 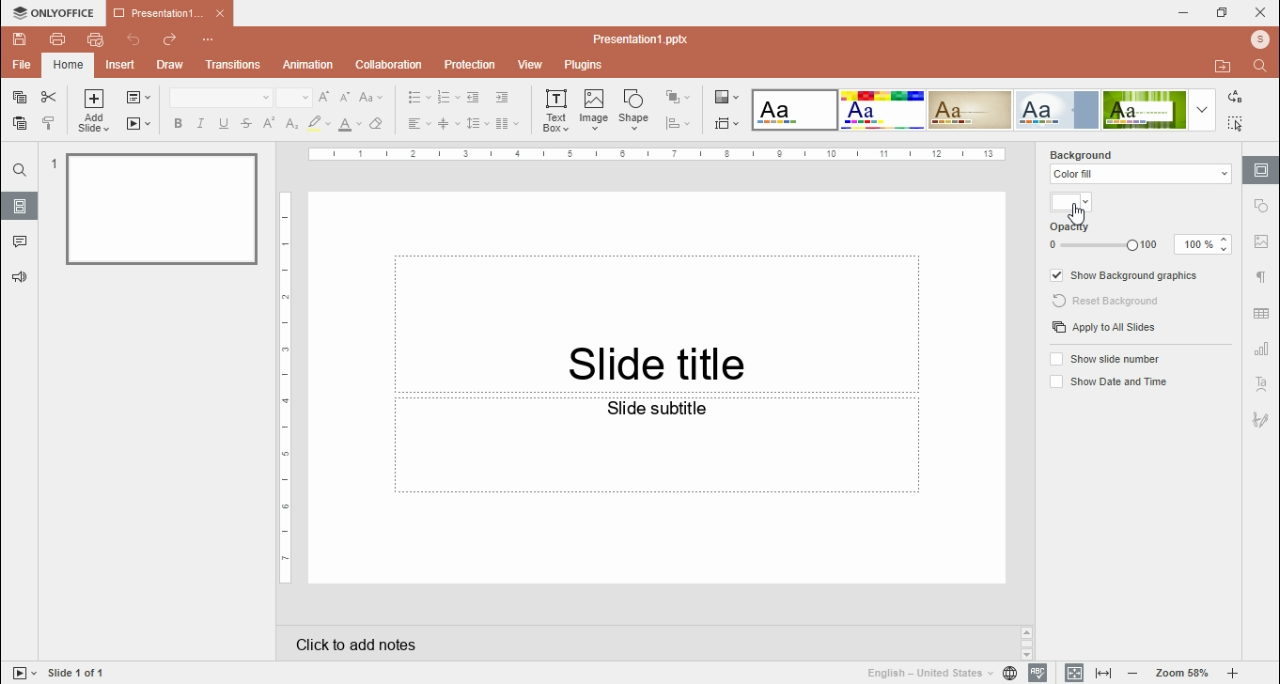 I want to click on slide number, so click(x=83, y=671).